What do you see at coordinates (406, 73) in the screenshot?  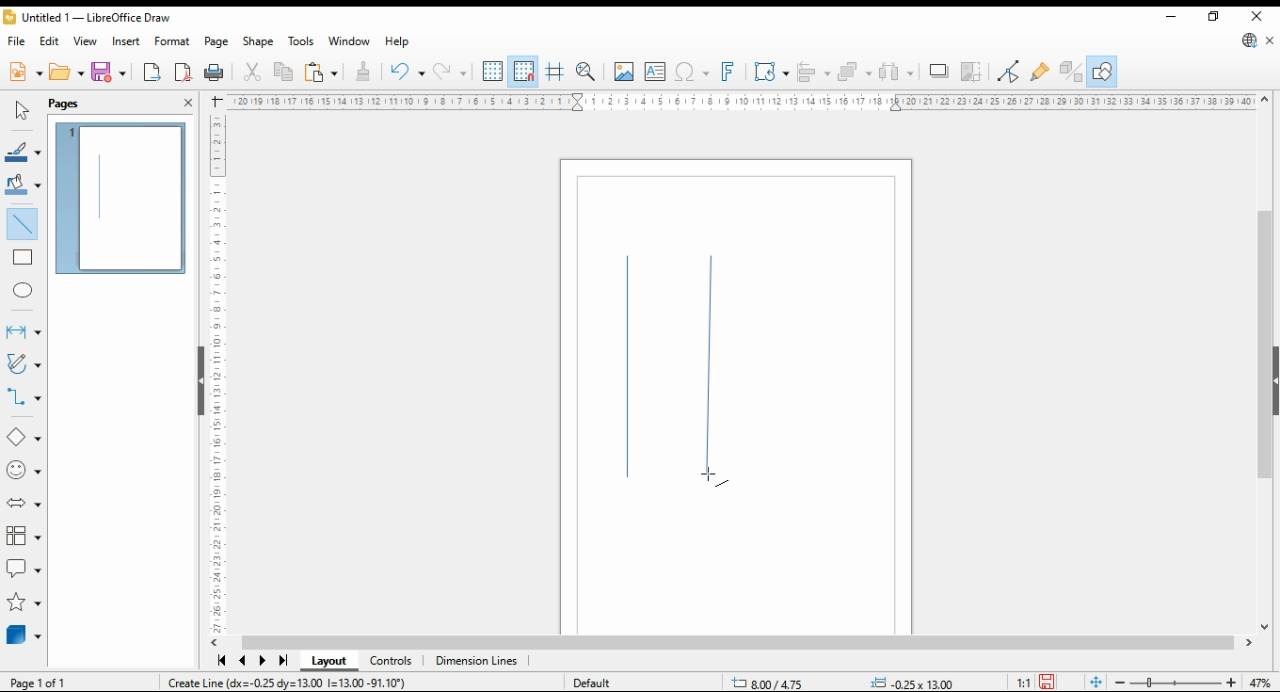 I see `redo` at bounding box center [406, 73].